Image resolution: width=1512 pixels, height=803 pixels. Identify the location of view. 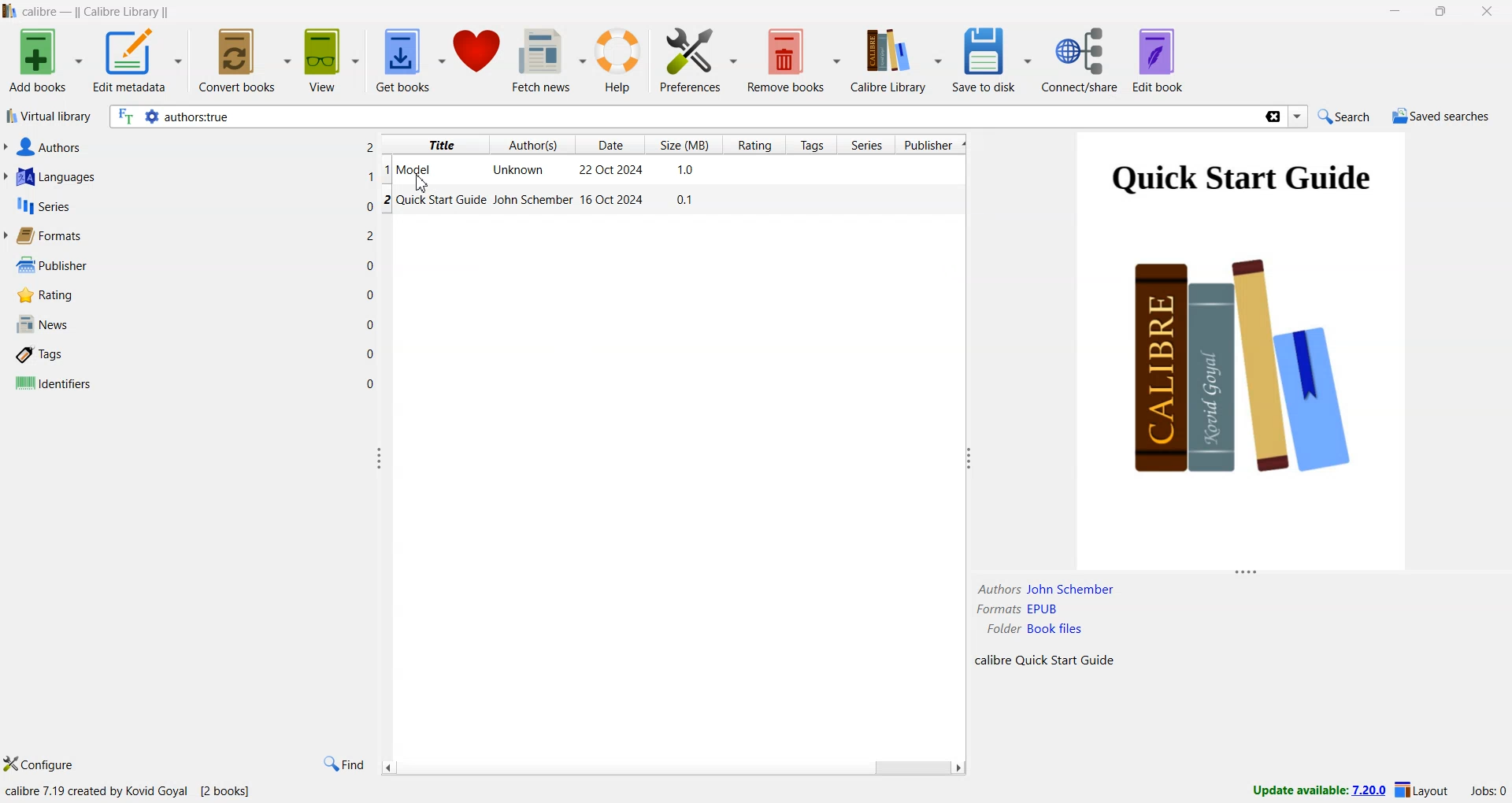
(333, 61).